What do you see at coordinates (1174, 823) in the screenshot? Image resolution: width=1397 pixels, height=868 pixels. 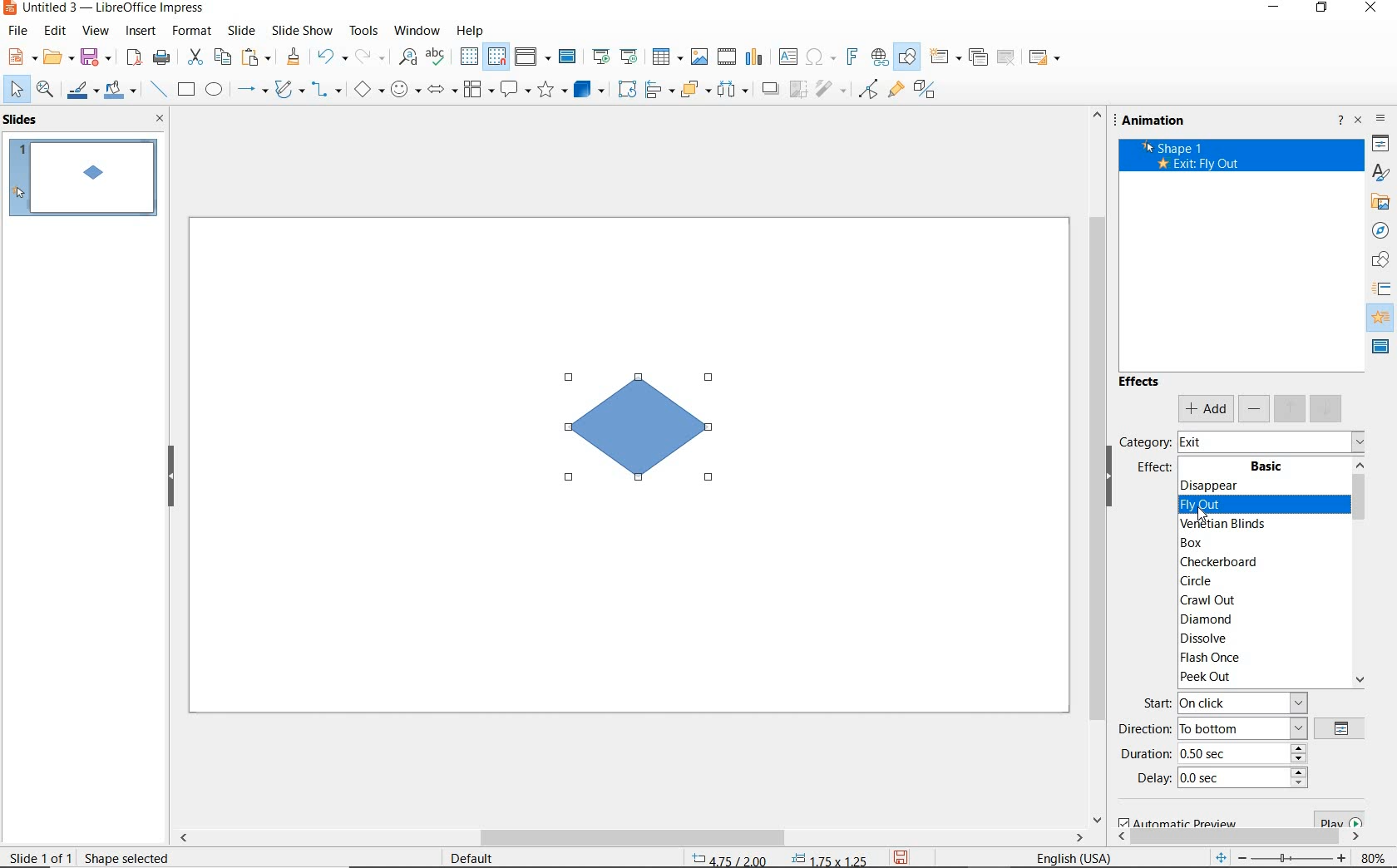 I see `automatic preview` at bounding box center [1174, 823].